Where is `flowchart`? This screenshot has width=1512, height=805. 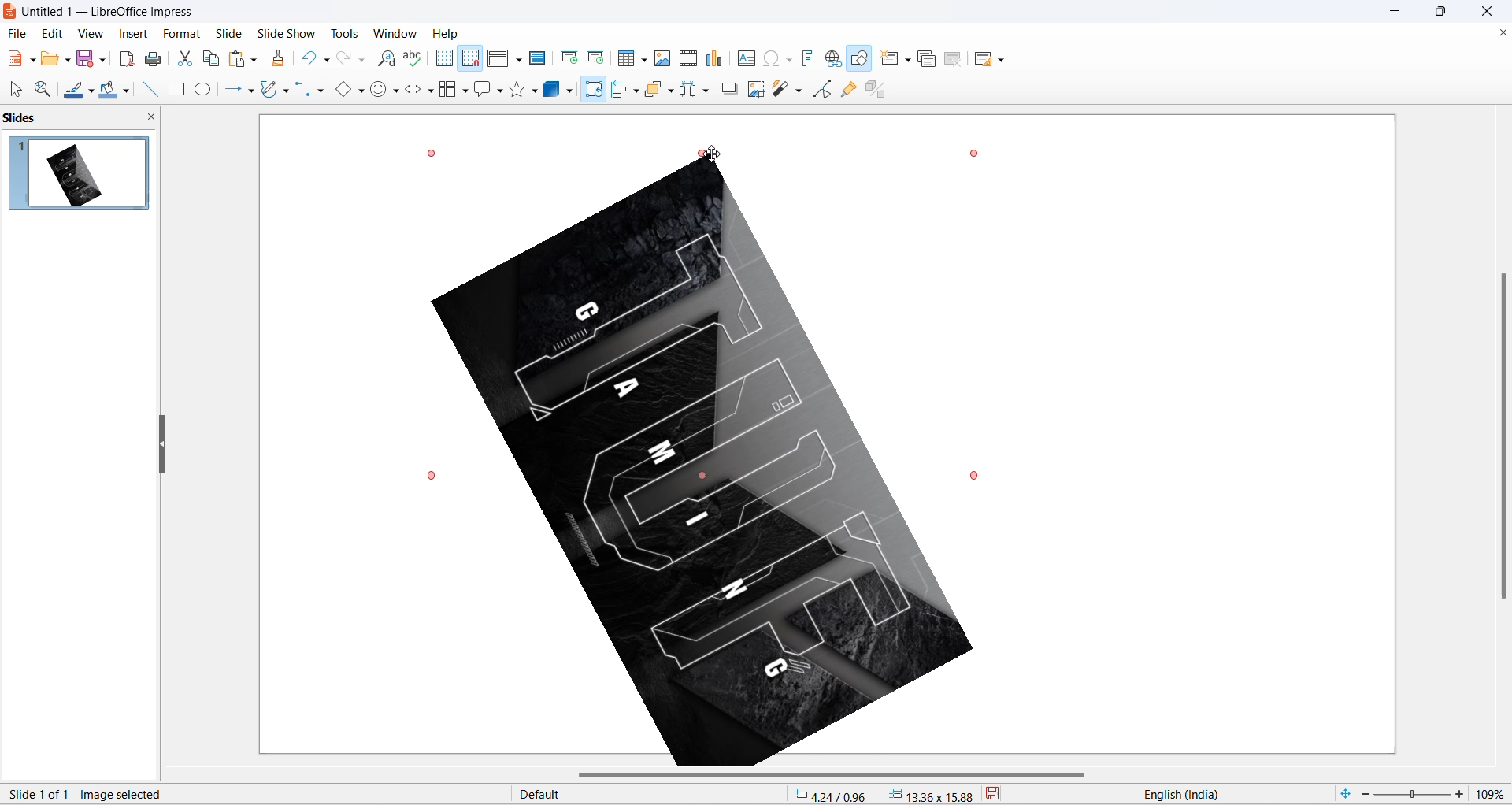 flowchart is located at coordinates (448, 91).